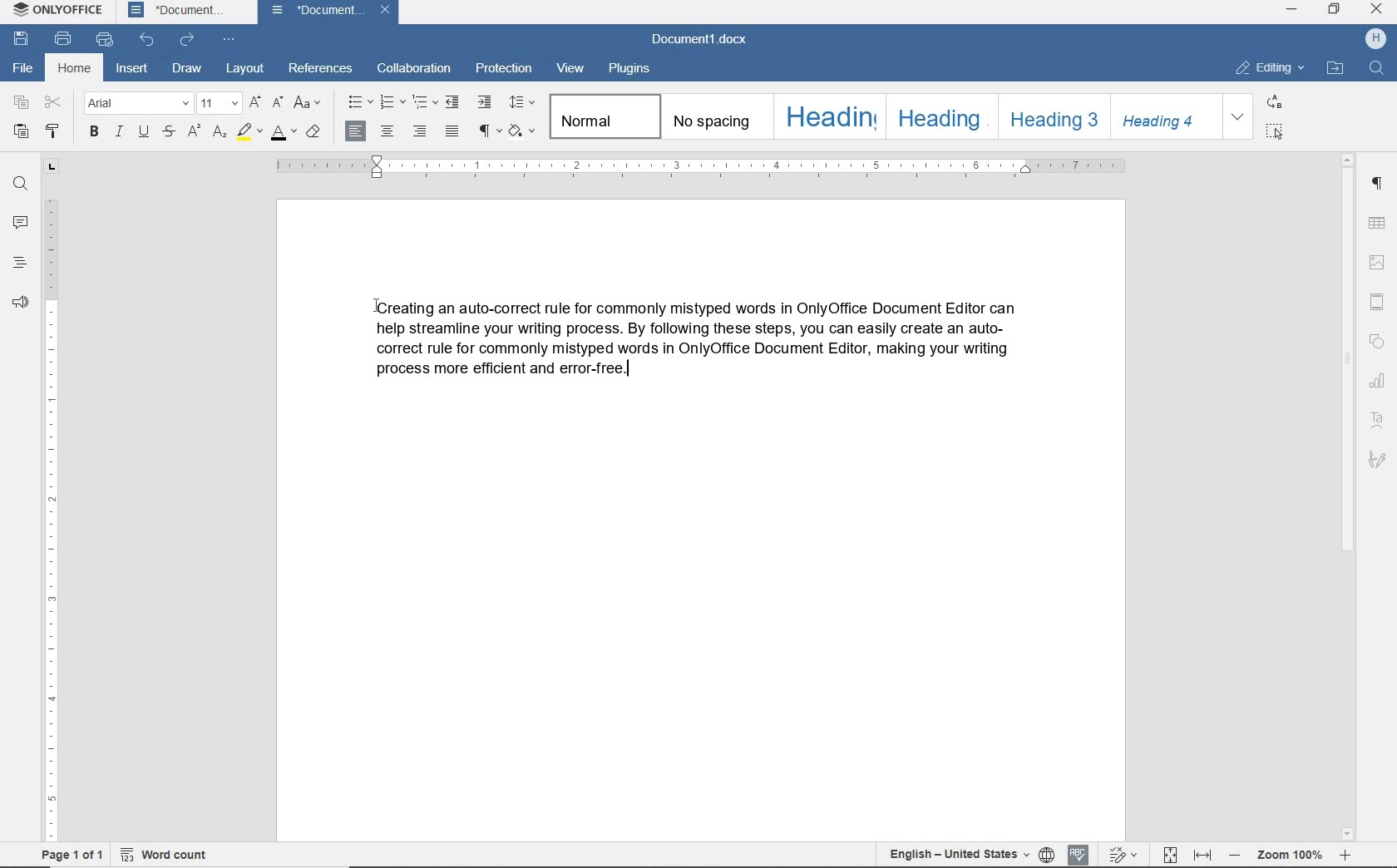 This screenshot has width=1397, height=868. Describe the element at coordinates (488, 129) in the screenshot. I see `nonprinting characters` at that location.